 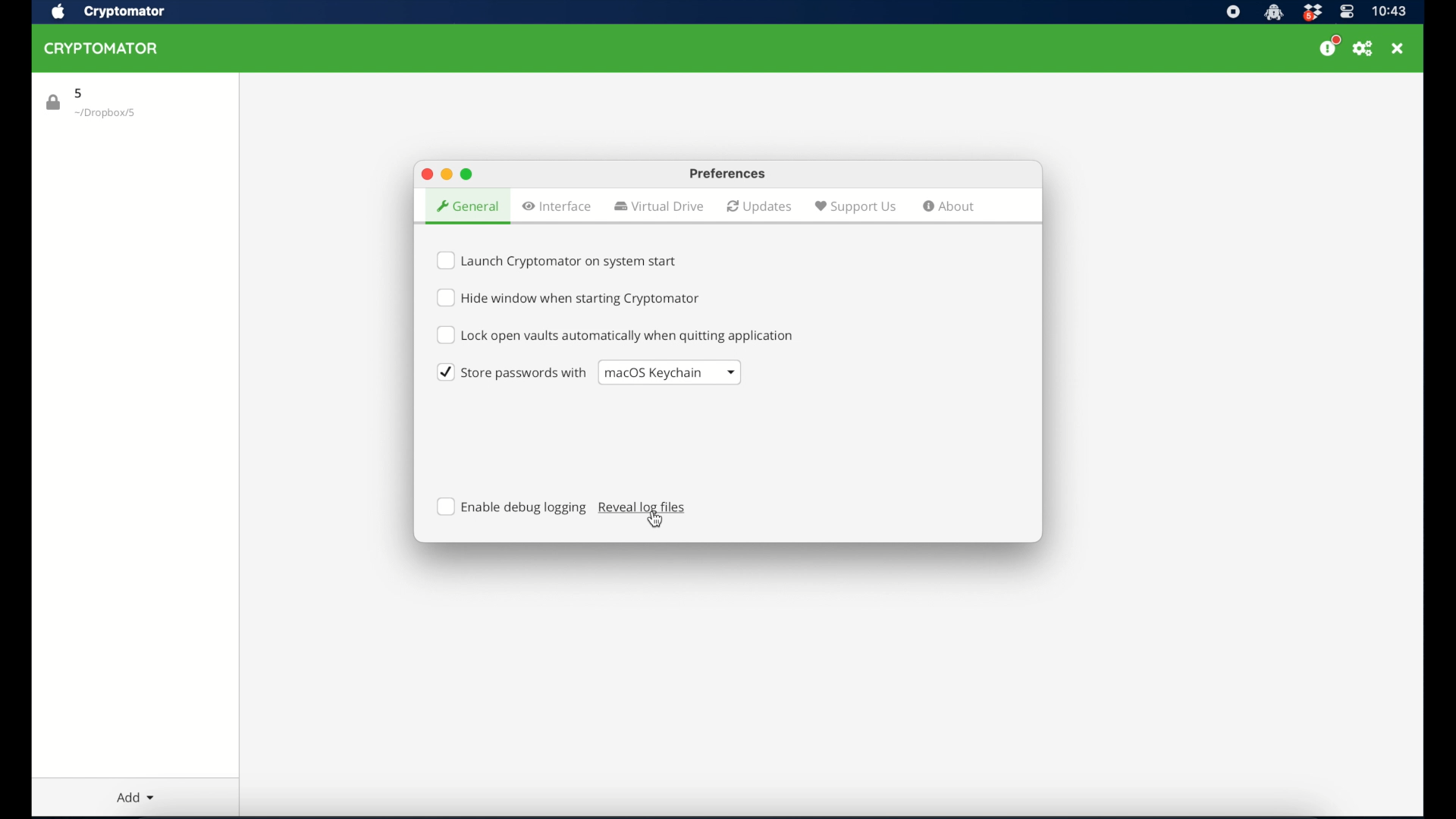 I want to click on cryptomator, so click(x=100, y=49).